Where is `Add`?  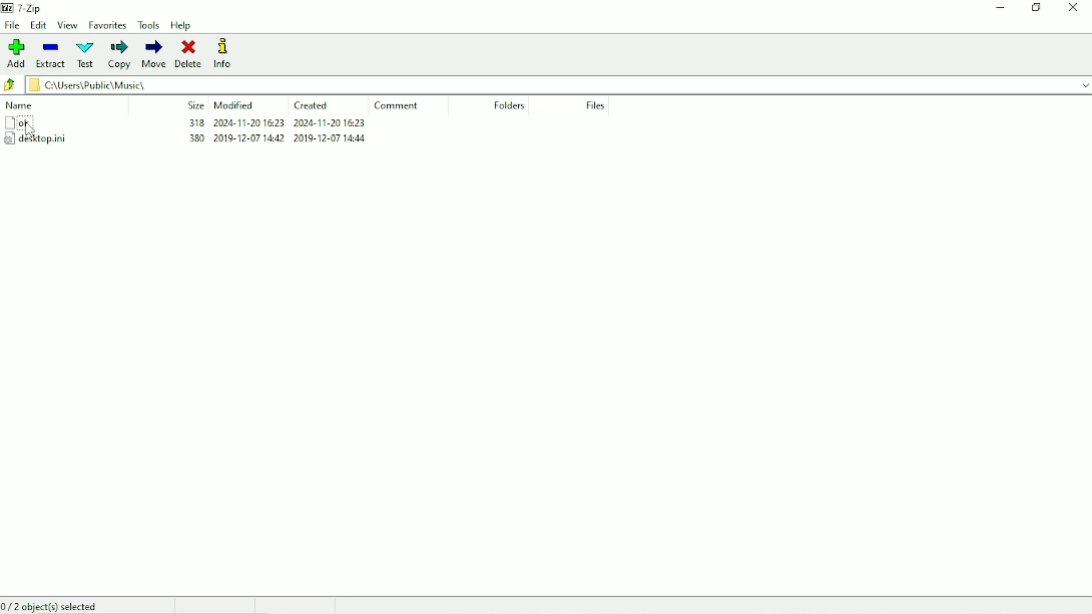 Add is located at coordinates (16, 53).